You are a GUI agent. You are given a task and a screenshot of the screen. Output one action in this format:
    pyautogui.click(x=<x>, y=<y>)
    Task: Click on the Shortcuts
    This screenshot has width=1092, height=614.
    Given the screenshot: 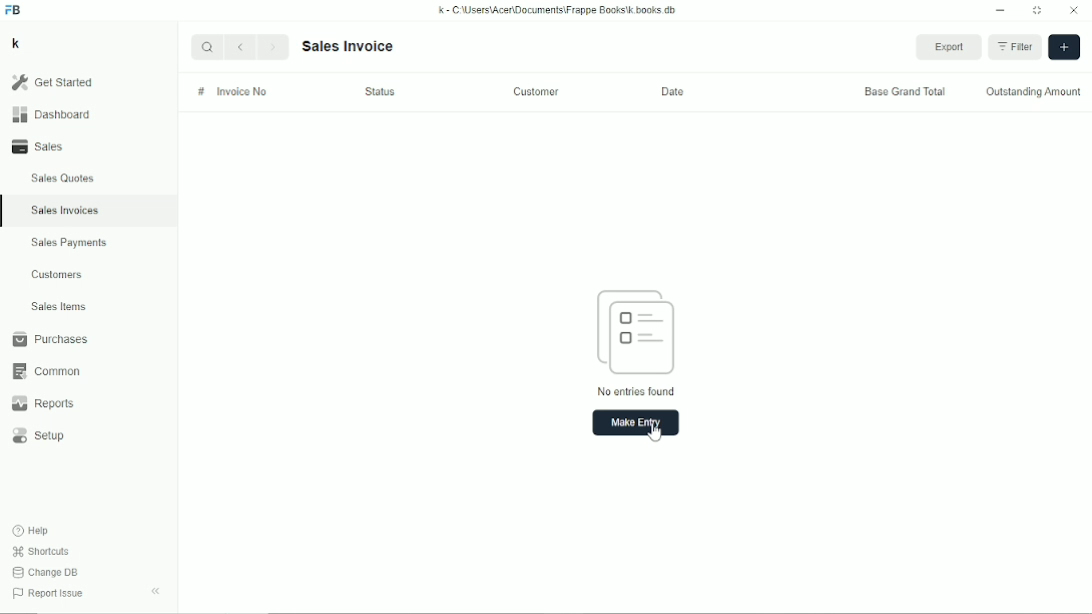 What is the action you would take?
    pyautogui.click(x=40, y=551)
    